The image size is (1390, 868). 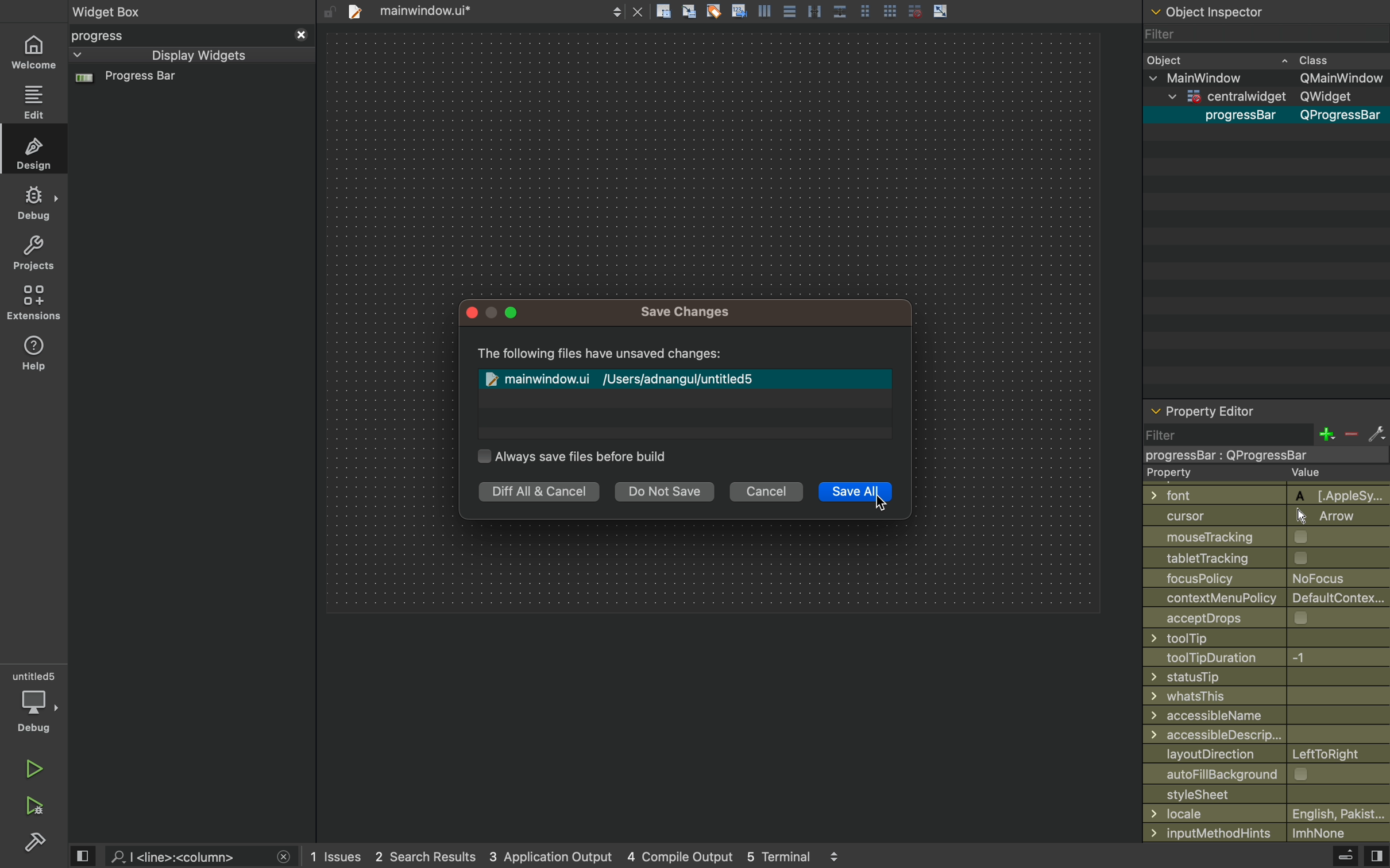 I want to click on hide sidebar, so click(x=1334, y=858).